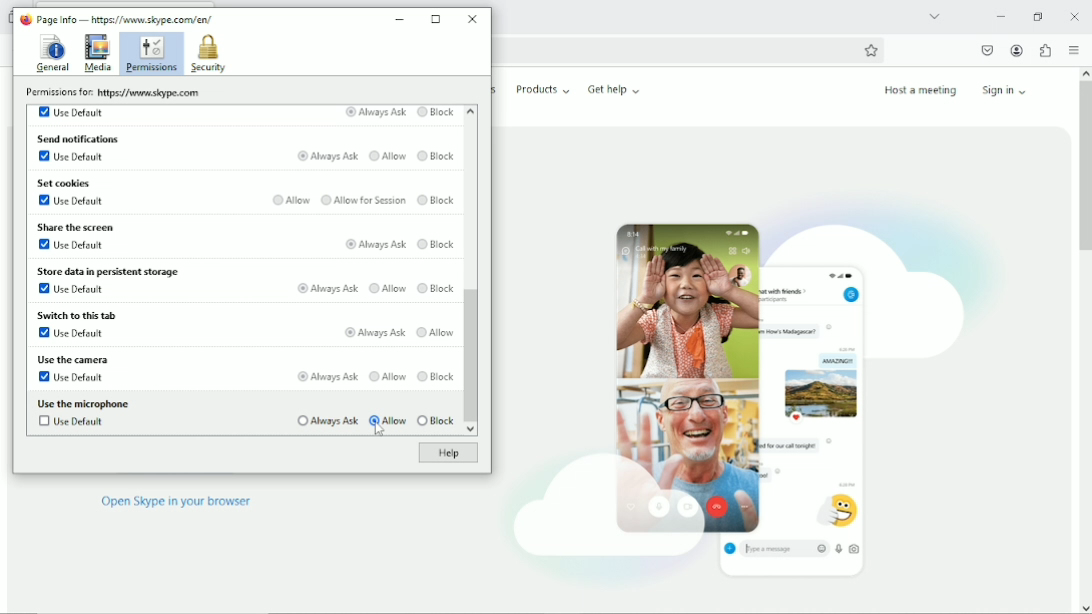 The width and height of the screenshot is (1092, 614). I want to click on vertical scrollbar, so click(1083, 168).